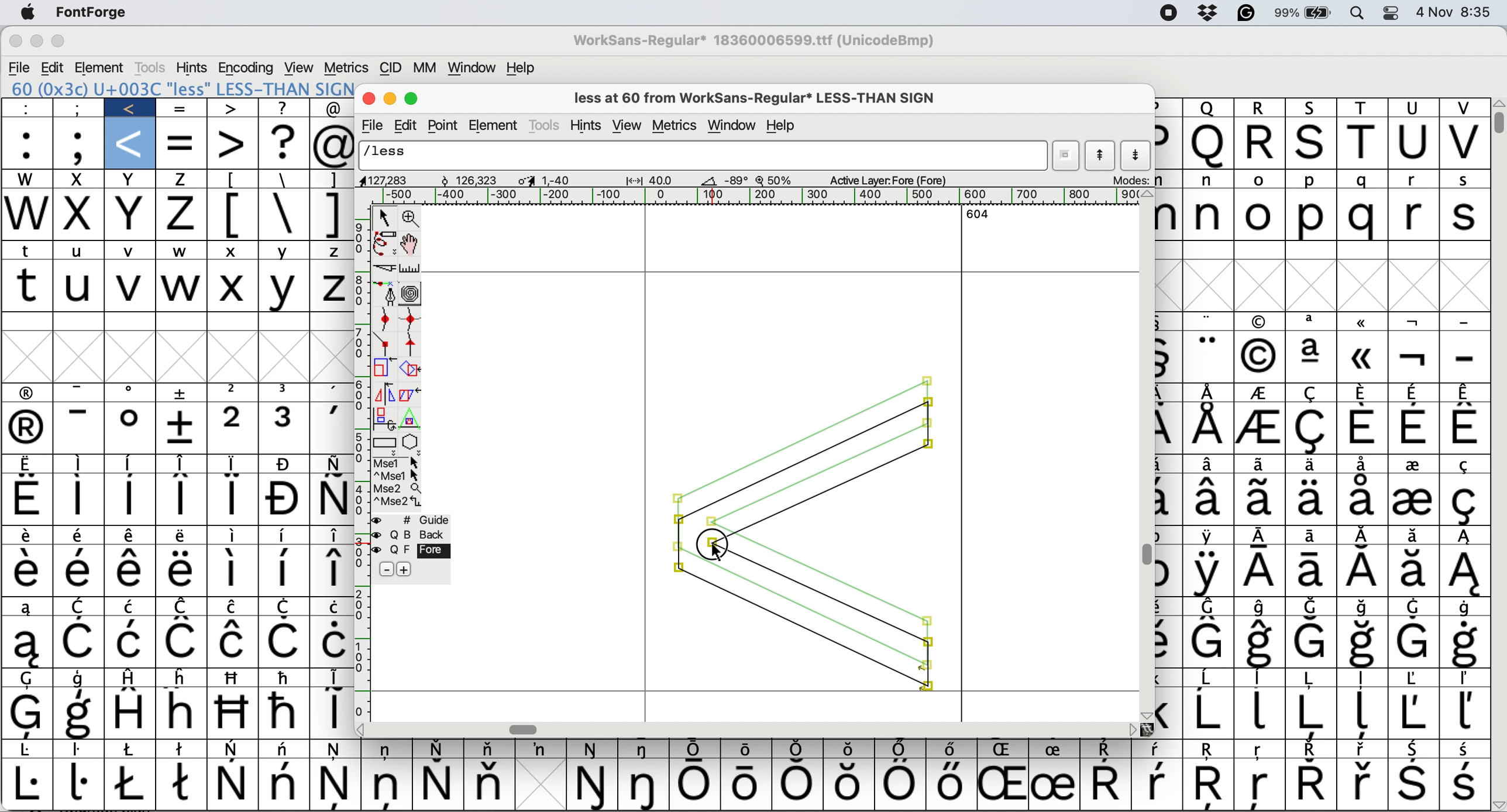 The image size is (1507, 812). I want to click on Z, so click(331, 251).